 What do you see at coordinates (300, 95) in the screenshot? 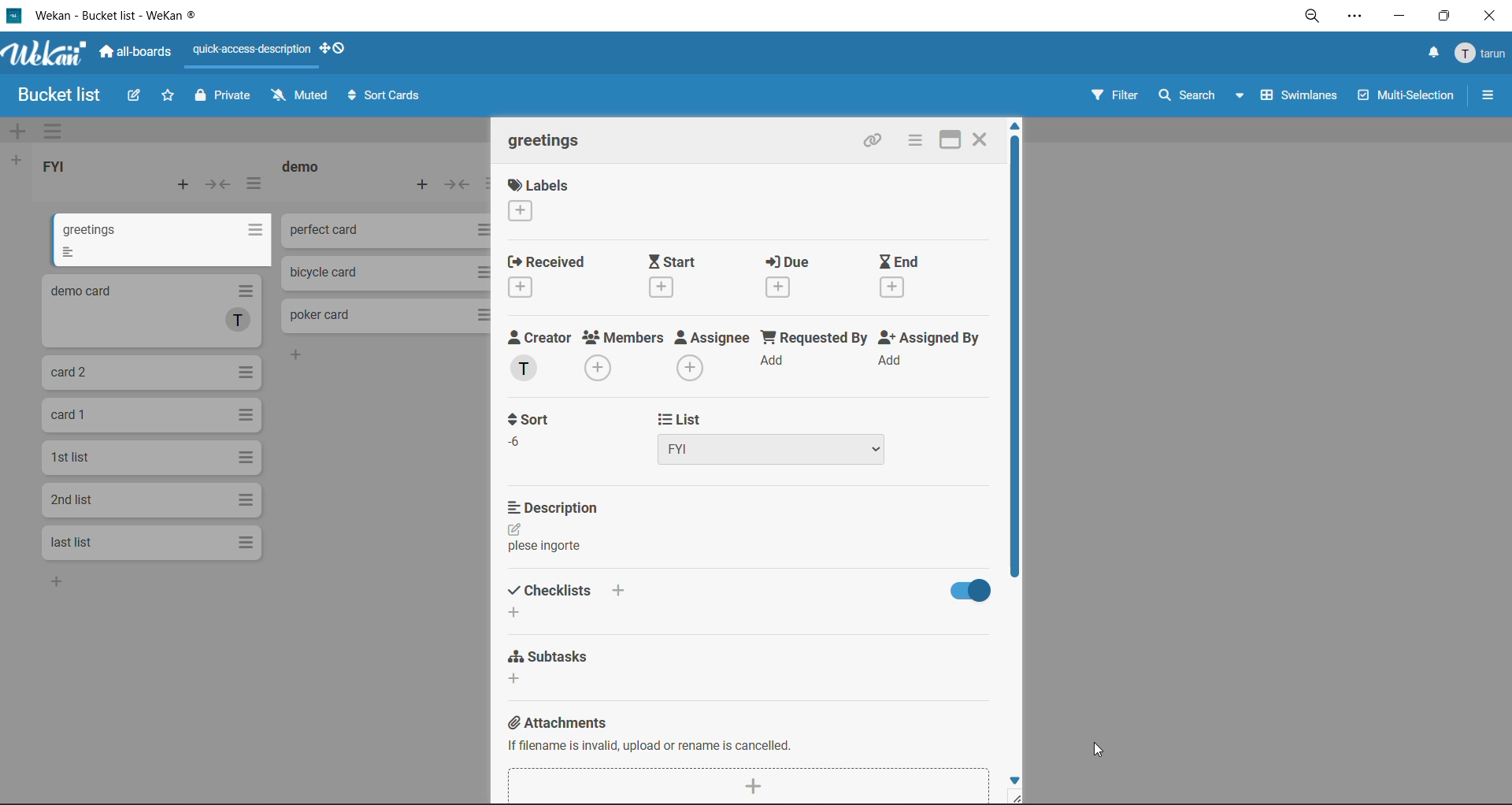
I see `muted` at bounding box center [300, 95].